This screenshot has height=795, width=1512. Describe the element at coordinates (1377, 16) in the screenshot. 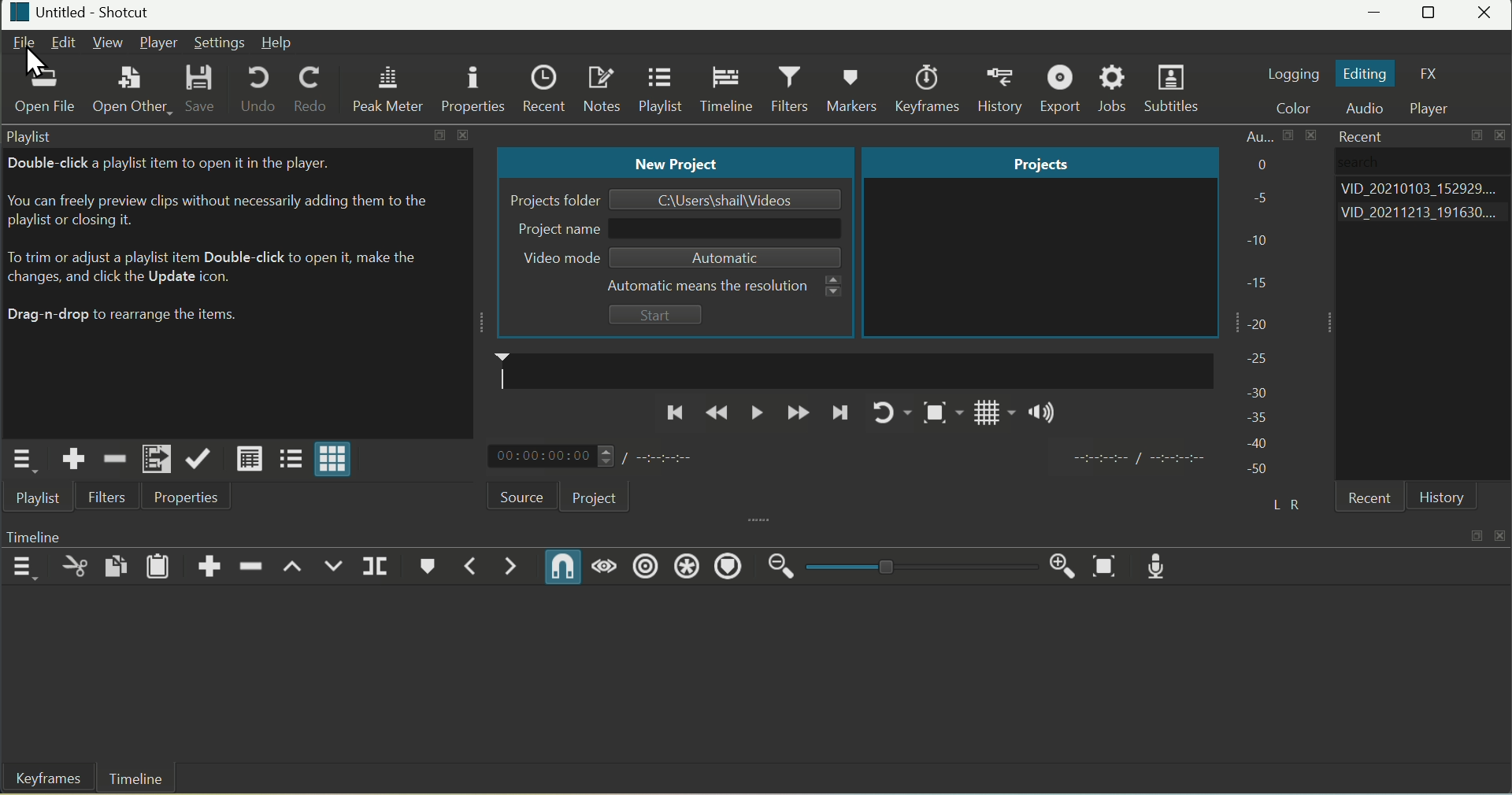

I see `Minimize` at that location.